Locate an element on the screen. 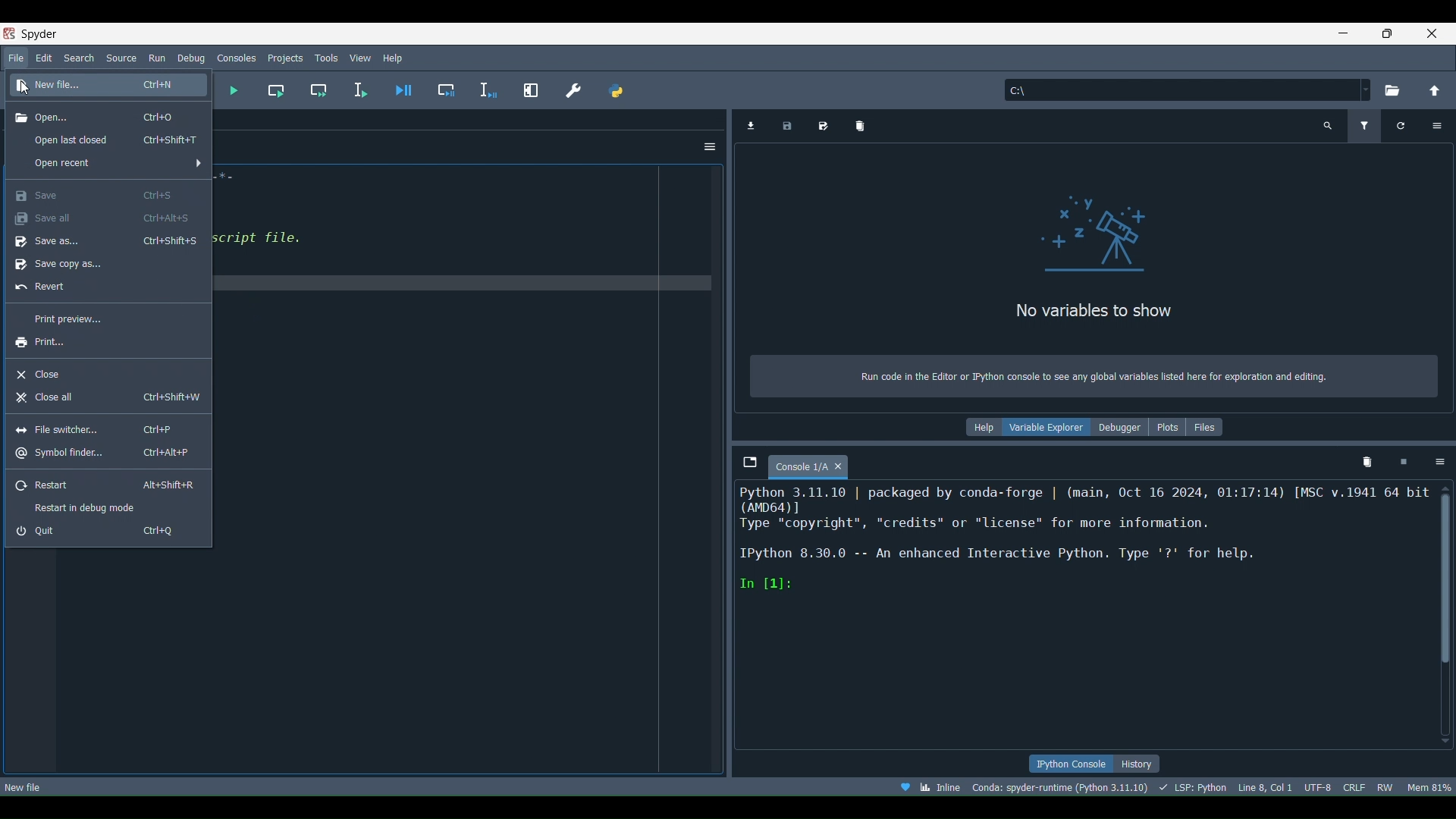 This screenshot has width=1456, height=819. Preferences is located at coordinates (570, 89).